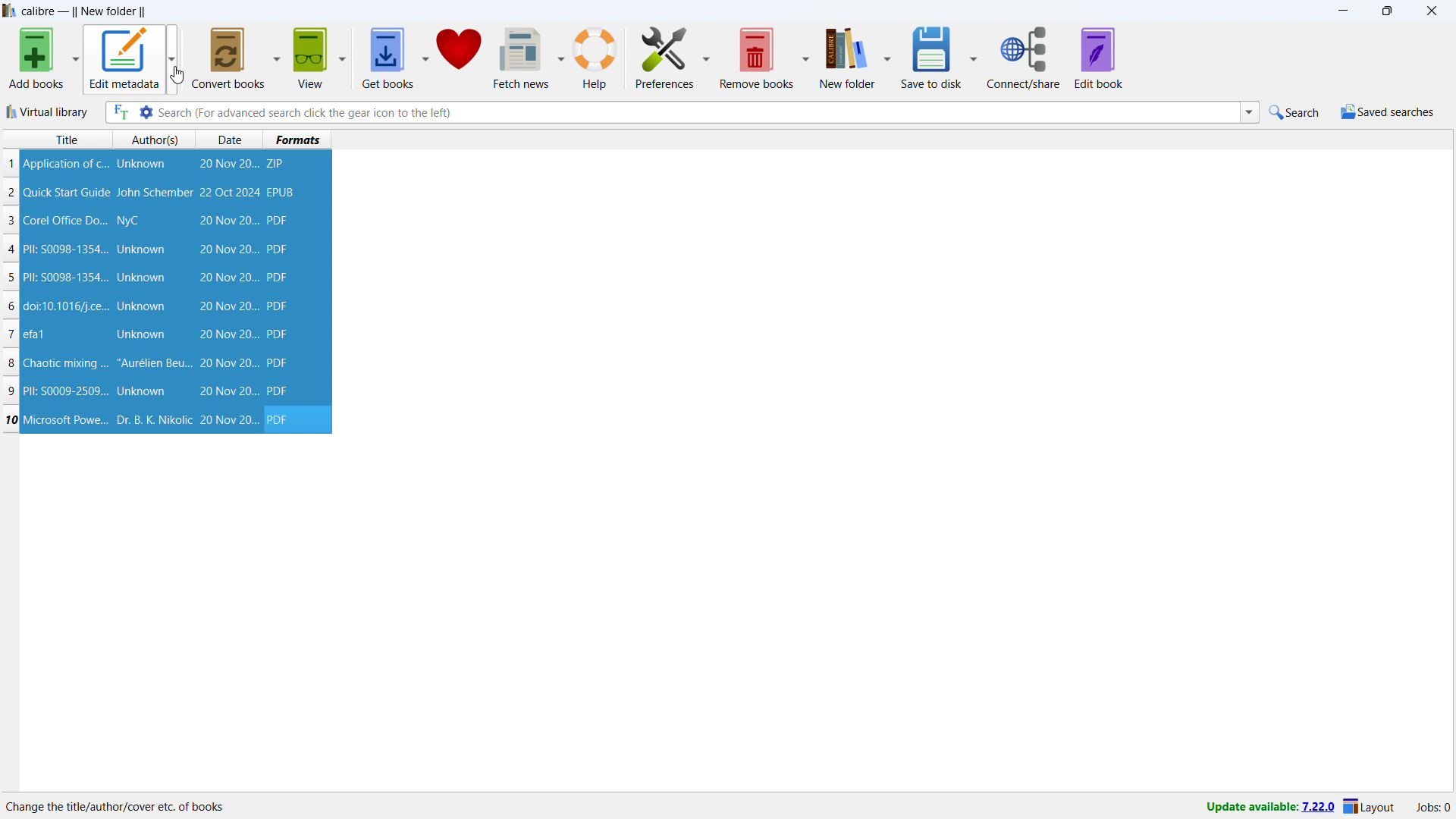  Describe the element at coordinates (227, 391) in the screenshot. I see `20 Nov 20...` at that location.